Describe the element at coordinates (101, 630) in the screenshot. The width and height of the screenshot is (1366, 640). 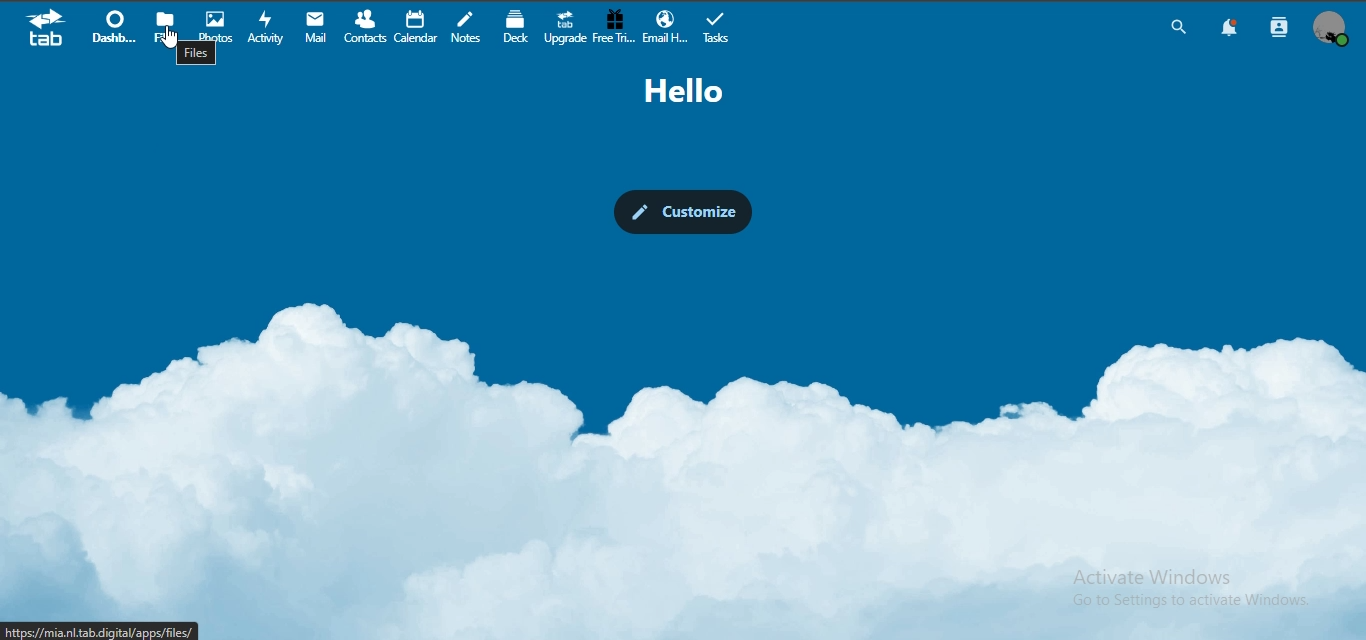
I see `hittps://mia.nl.tab.diqital/apps/files/` at that location.